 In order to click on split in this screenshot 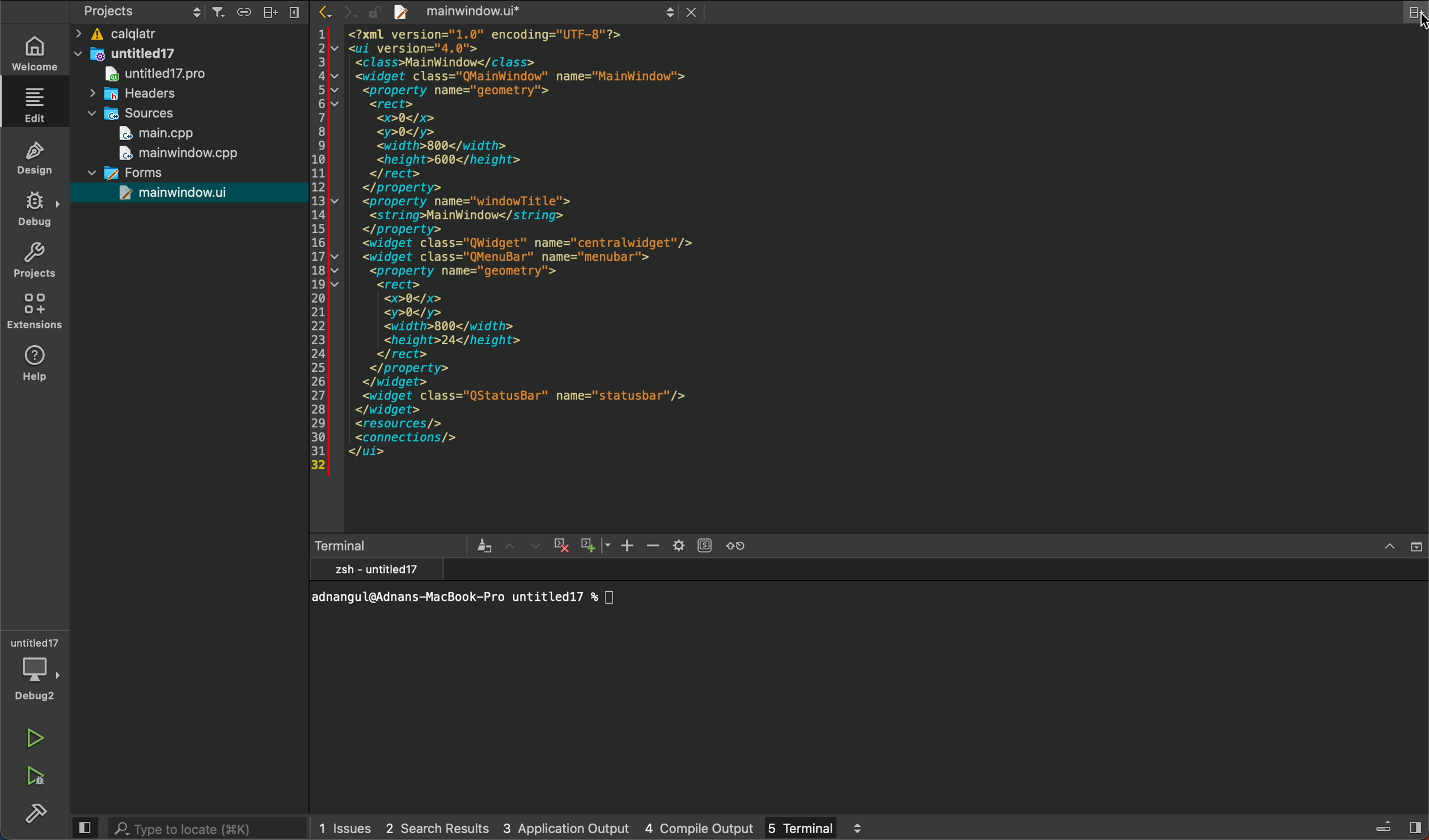, I will do `click(270, 12)`.